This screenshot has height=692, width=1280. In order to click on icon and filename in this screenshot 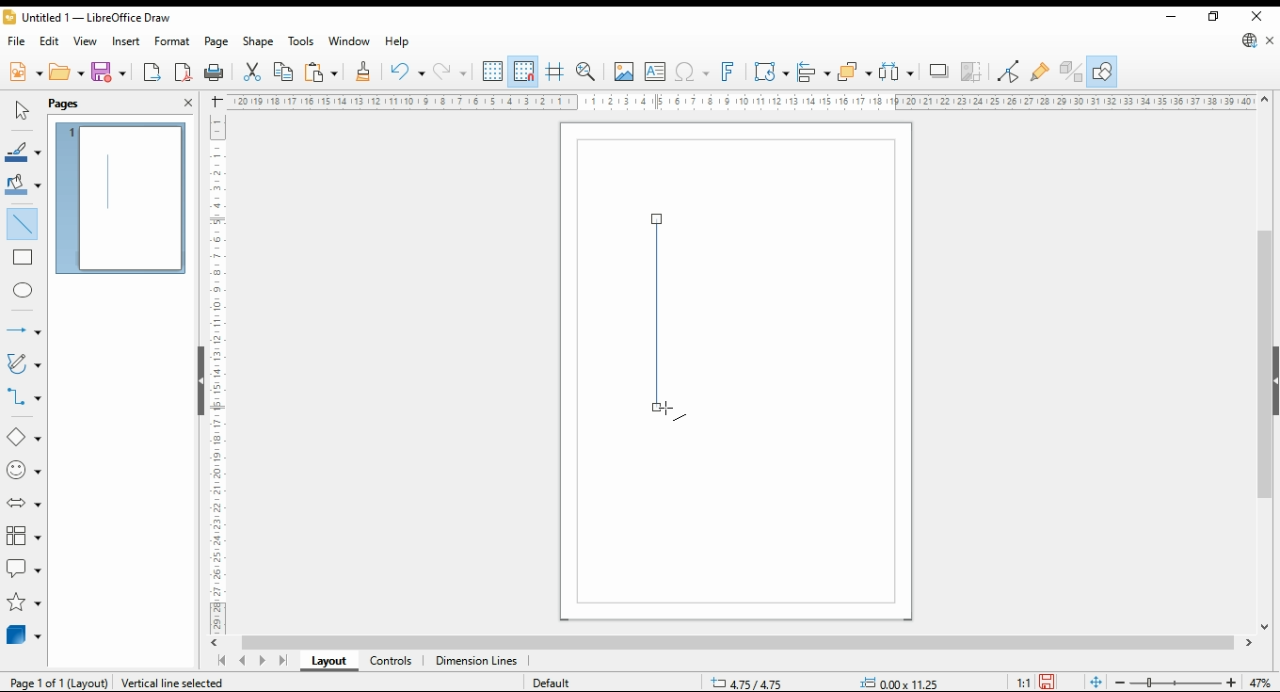, I will do `click(90, 20)`.